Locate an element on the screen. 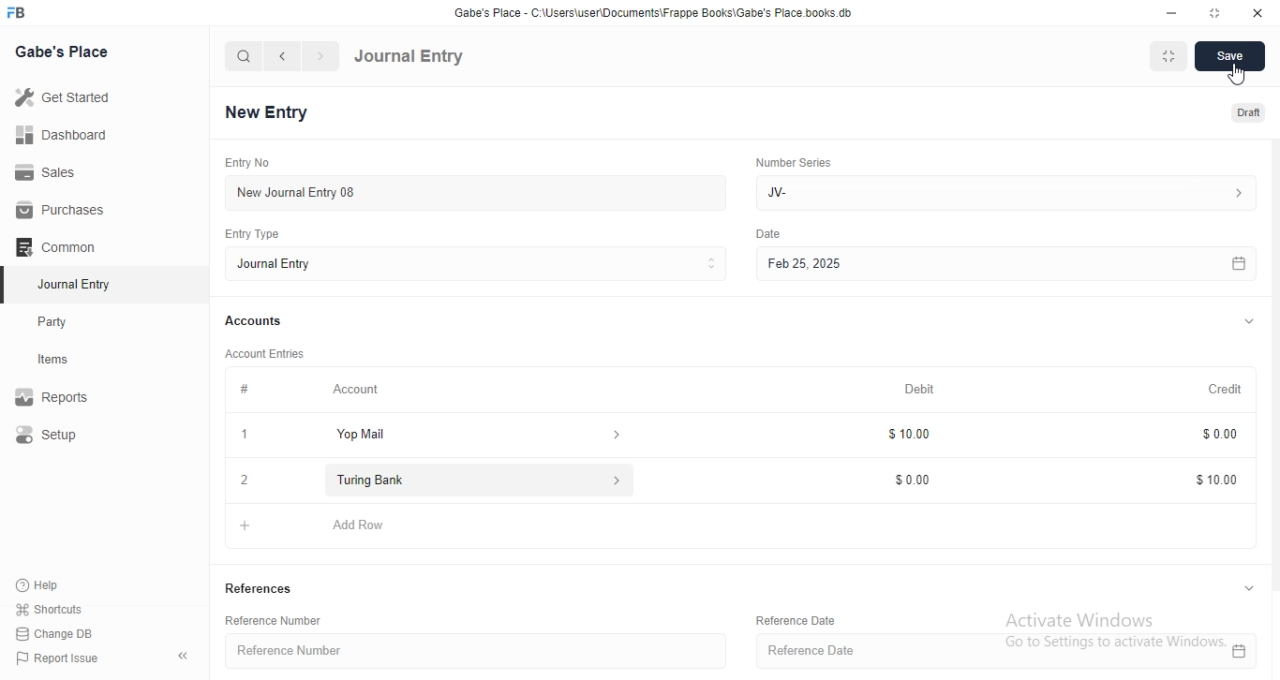  $0.00 is located at coordinates (1210, 434).